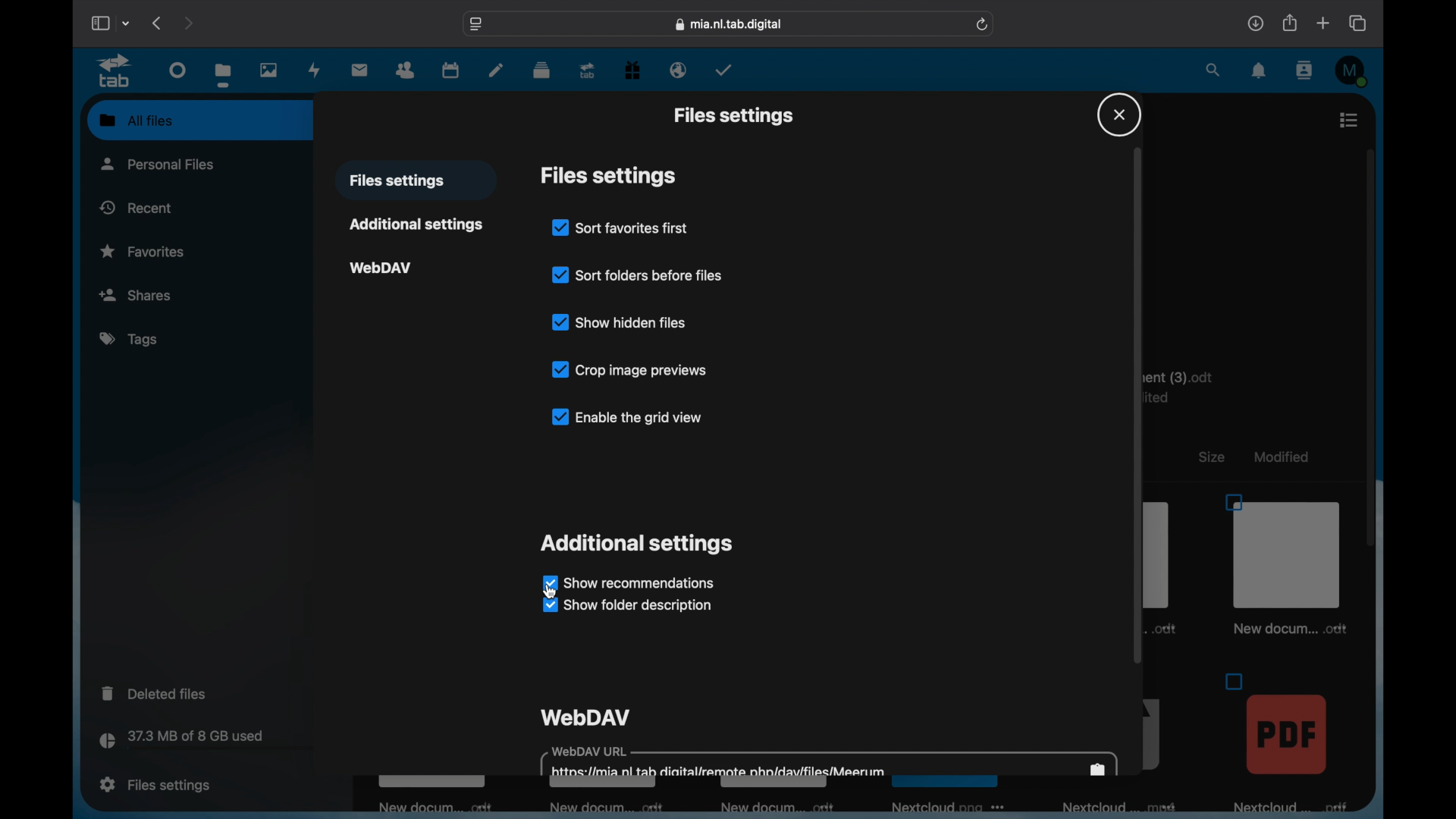 Image resolution: width=1456 pixels, height=819 pixels. I want to click on tags, so click(131, 340).